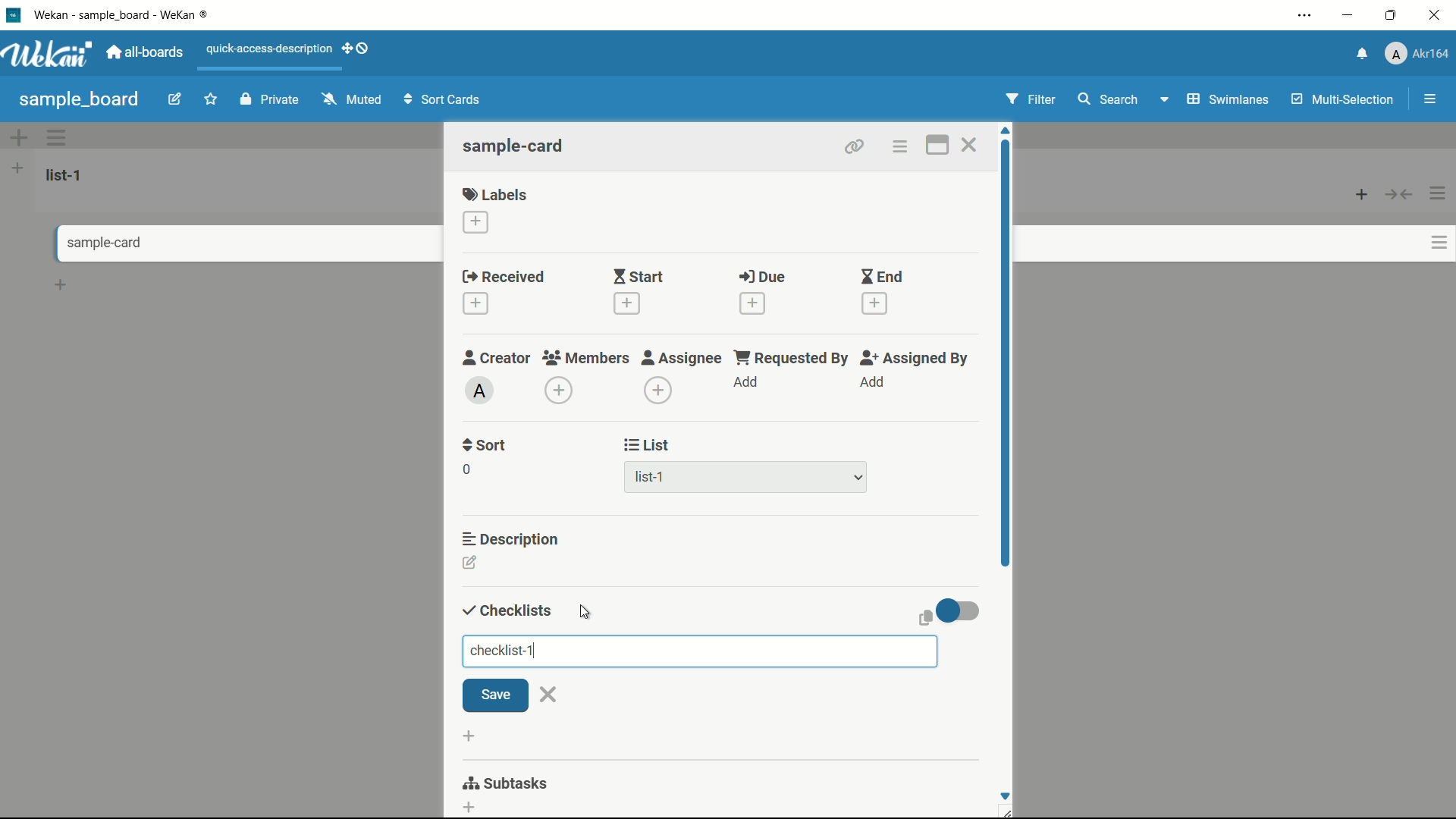 The image size is (1456, 819). I want to click on add card bottom, so click(61, 285).